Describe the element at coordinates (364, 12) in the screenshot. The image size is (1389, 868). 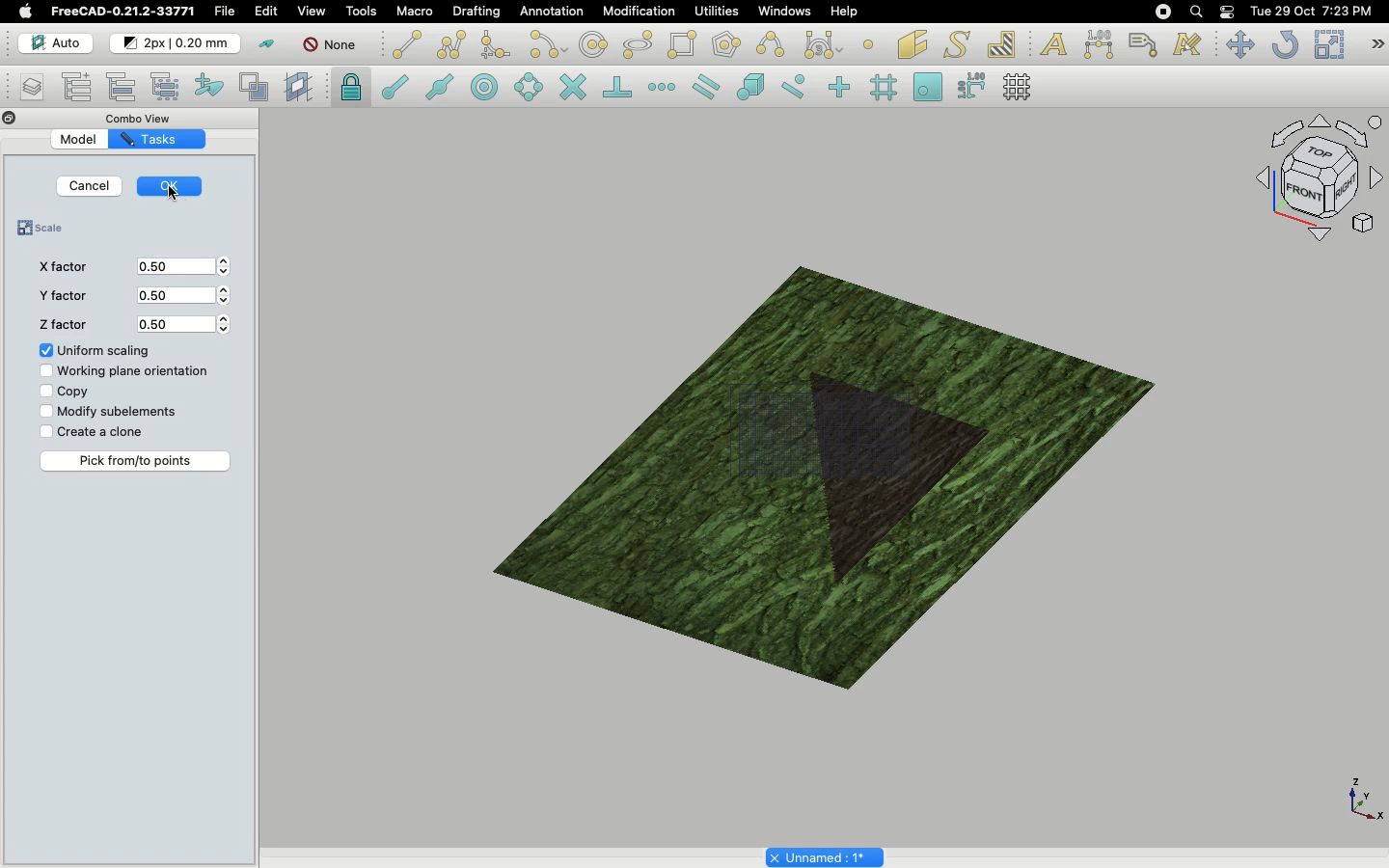
I see `Tools` at that location.